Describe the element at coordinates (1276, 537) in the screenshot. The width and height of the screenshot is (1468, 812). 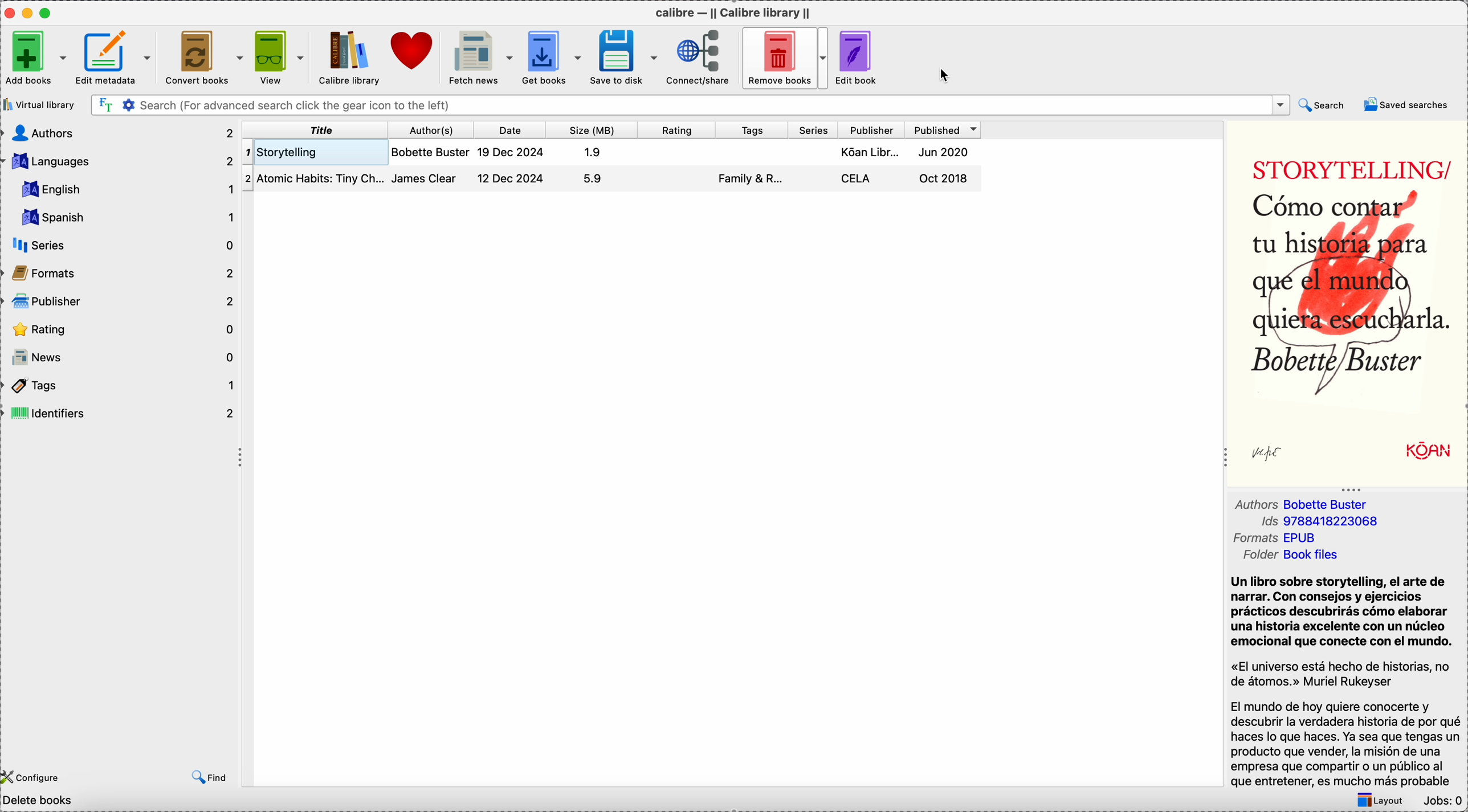
I see `formats EPUB` at that location.